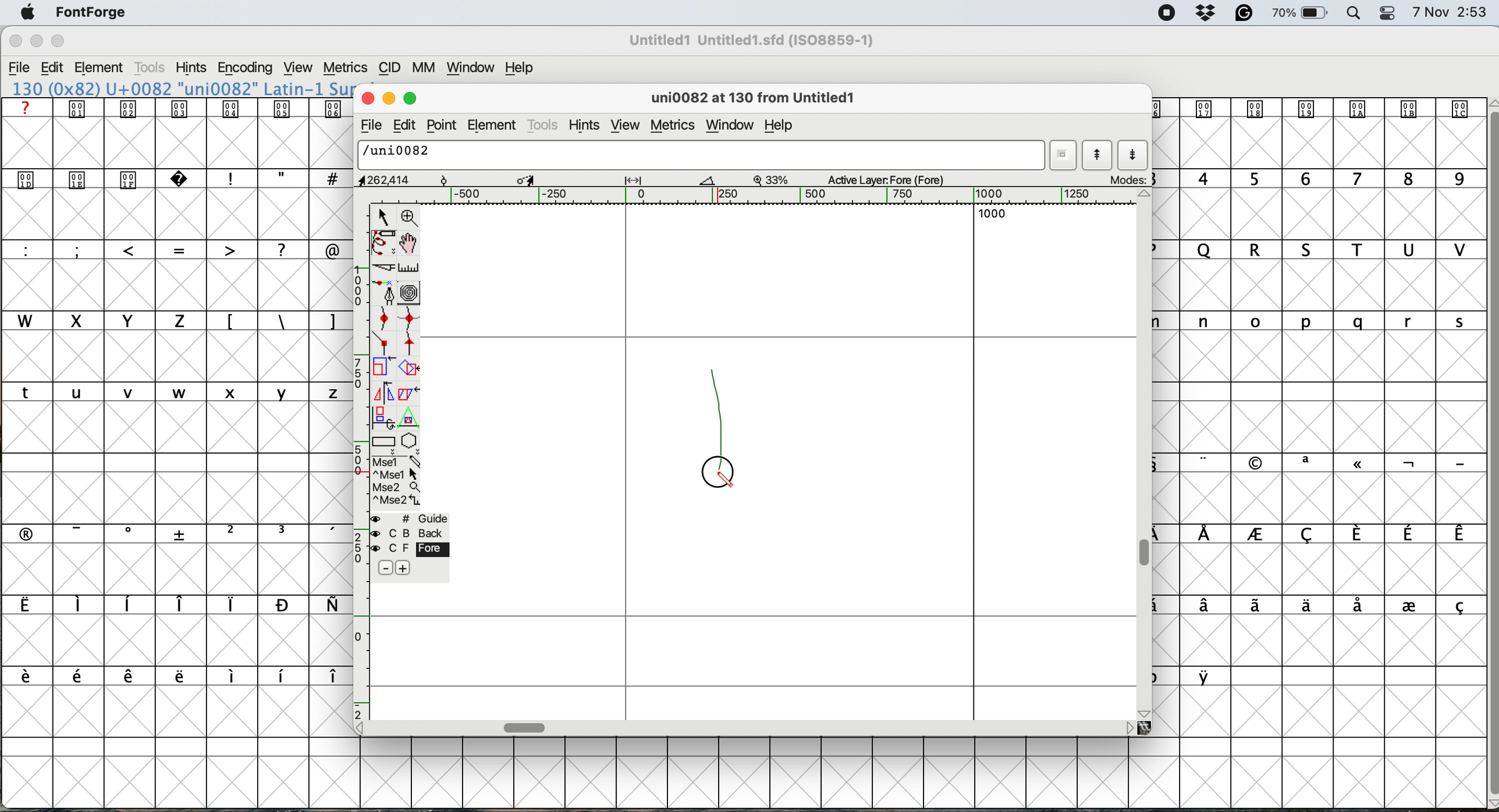  I want to click on guide, so click(413, 518).